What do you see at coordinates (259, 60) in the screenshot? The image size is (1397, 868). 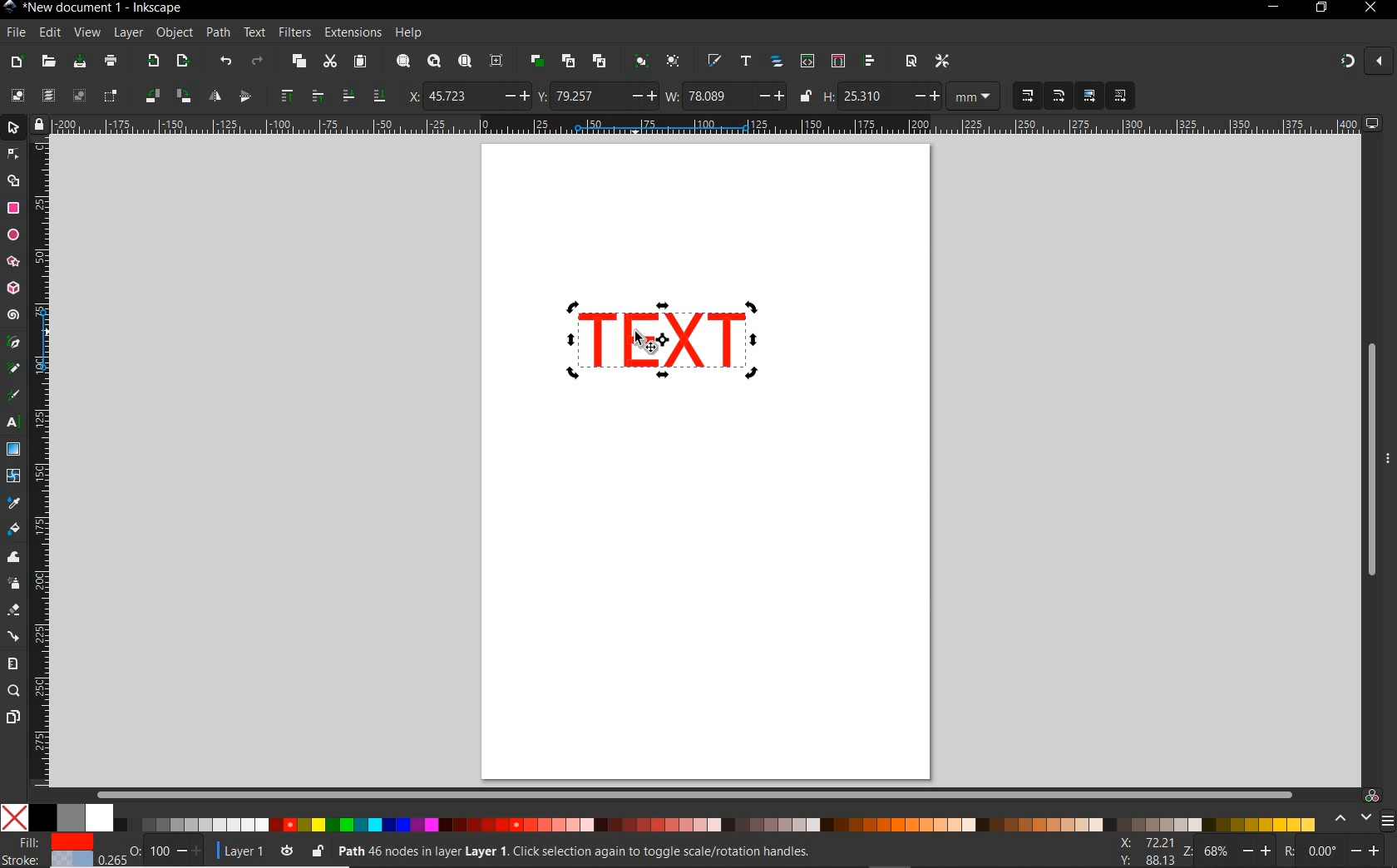 I see `REDO` at bounding box center [259, 60].